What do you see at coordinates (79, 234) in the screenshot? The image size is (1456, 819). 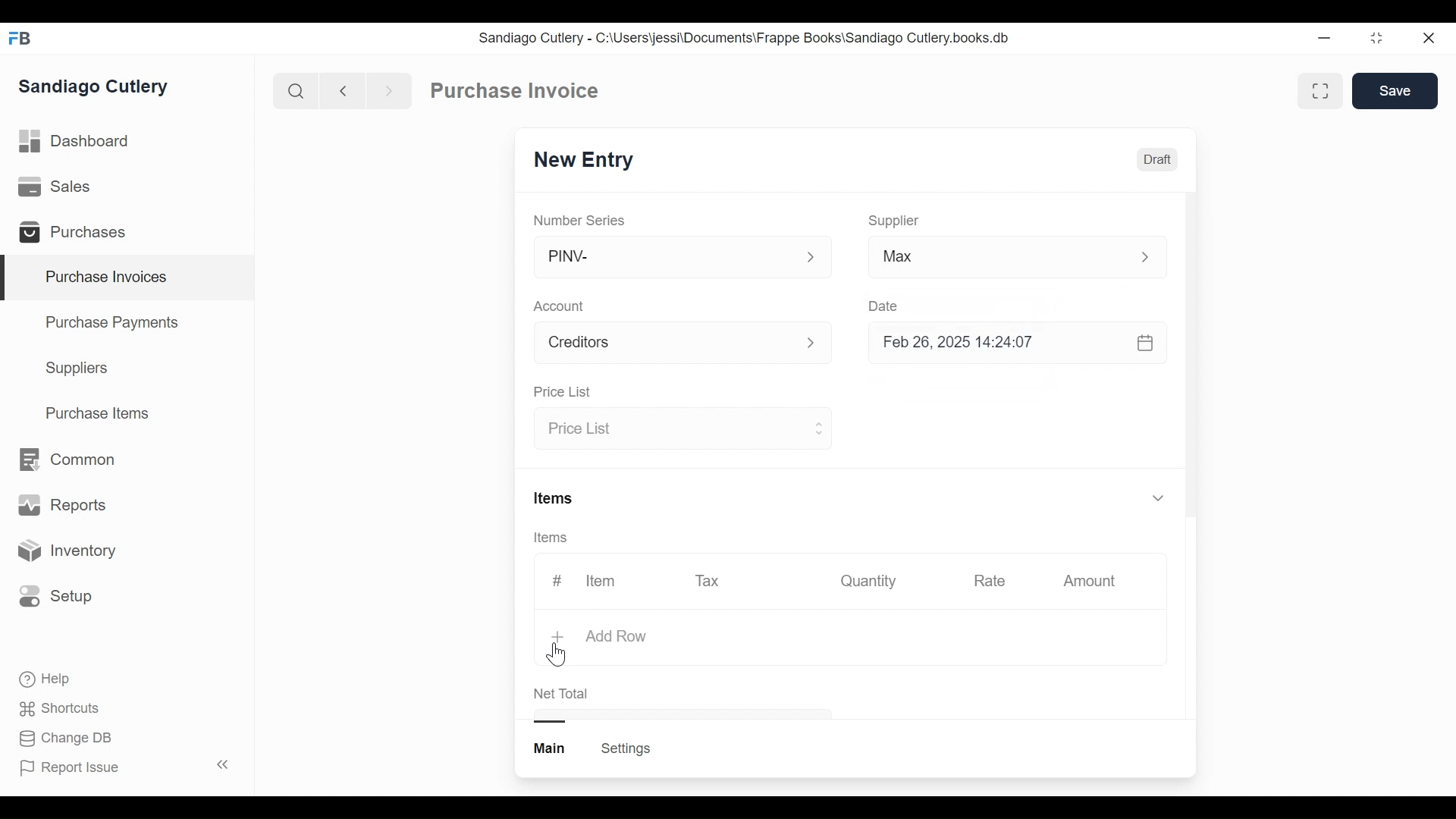 I see `Purchases` at bounding box center [79, 234].